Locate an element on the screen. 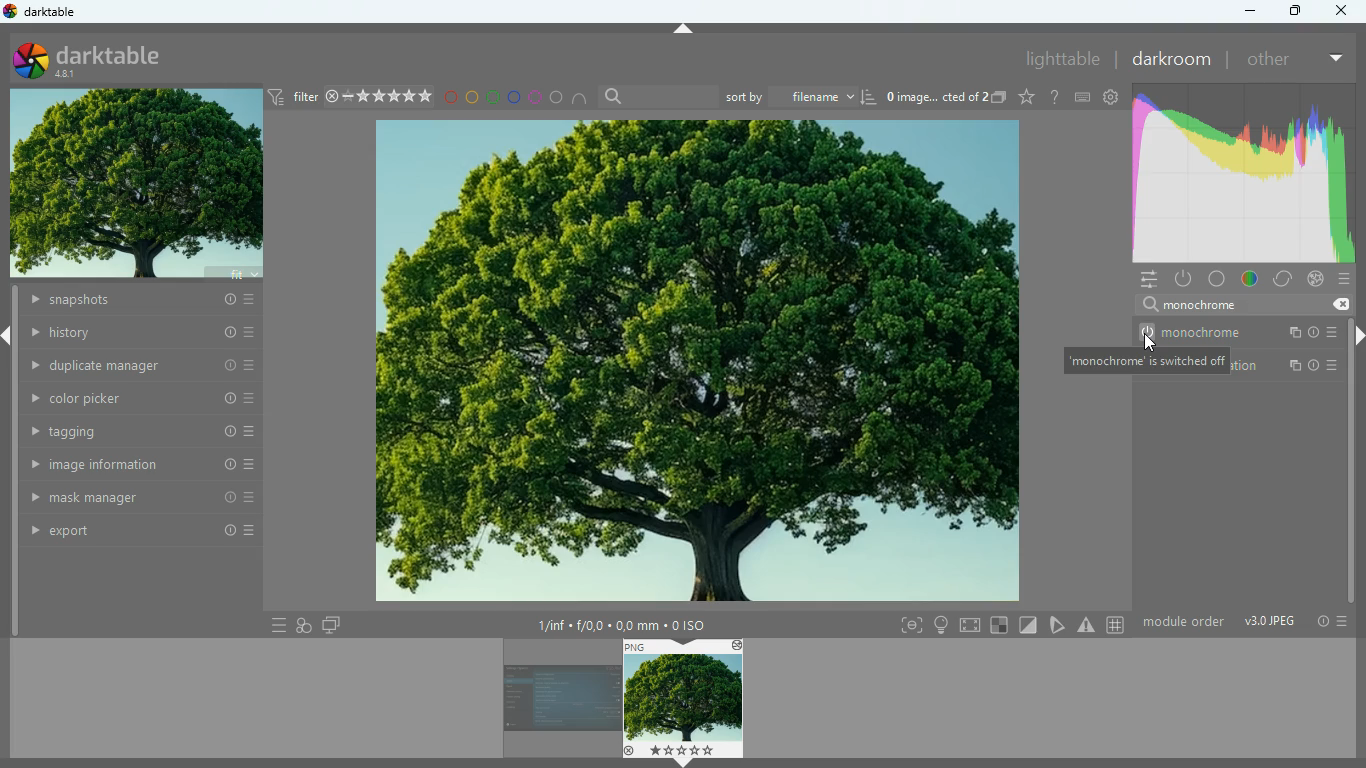  correct is located at coordinates (1280, 279).